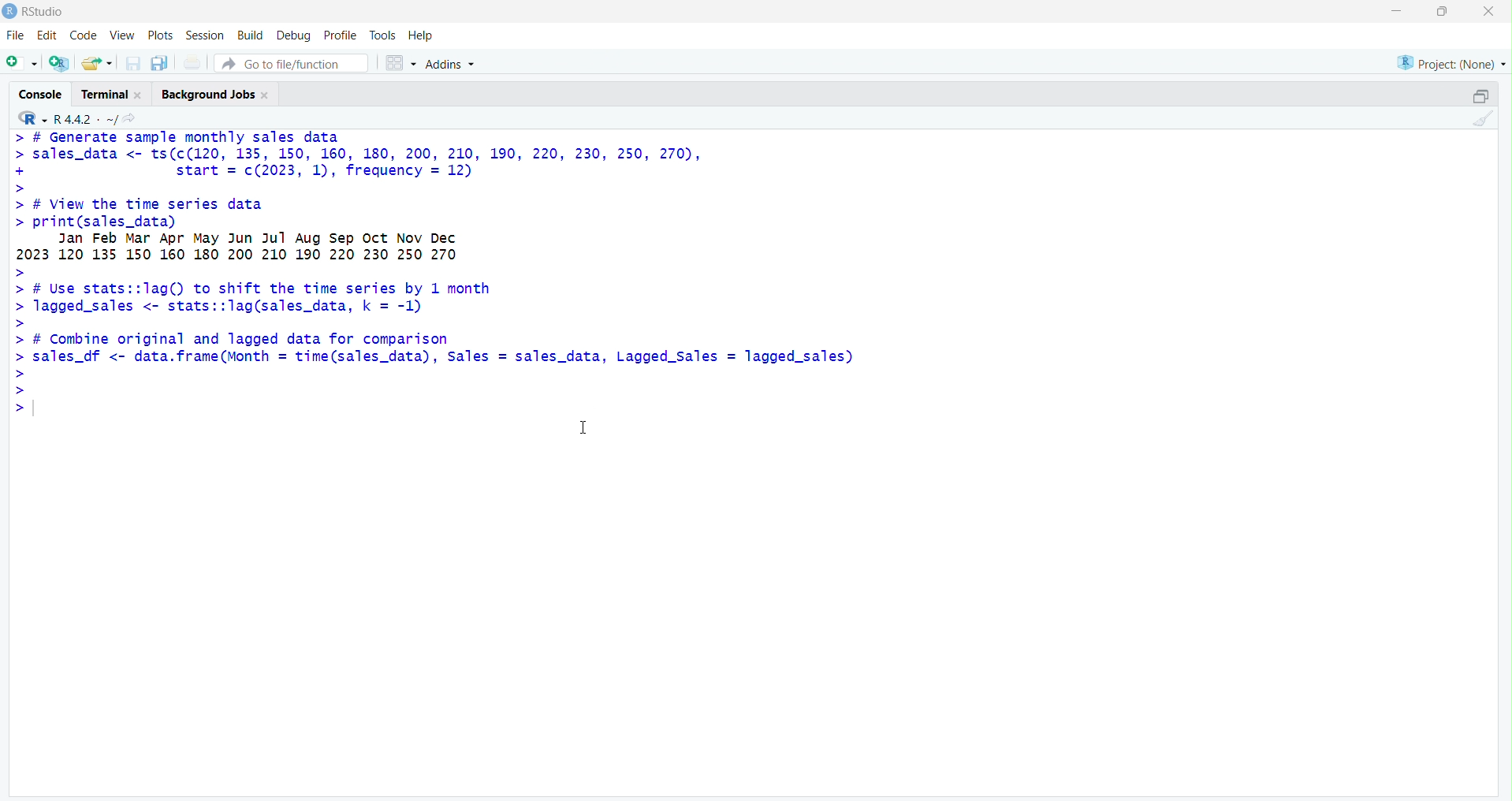  Describe the element at coordinates (453, 63) in the screenshot. I see `addins` at that location.